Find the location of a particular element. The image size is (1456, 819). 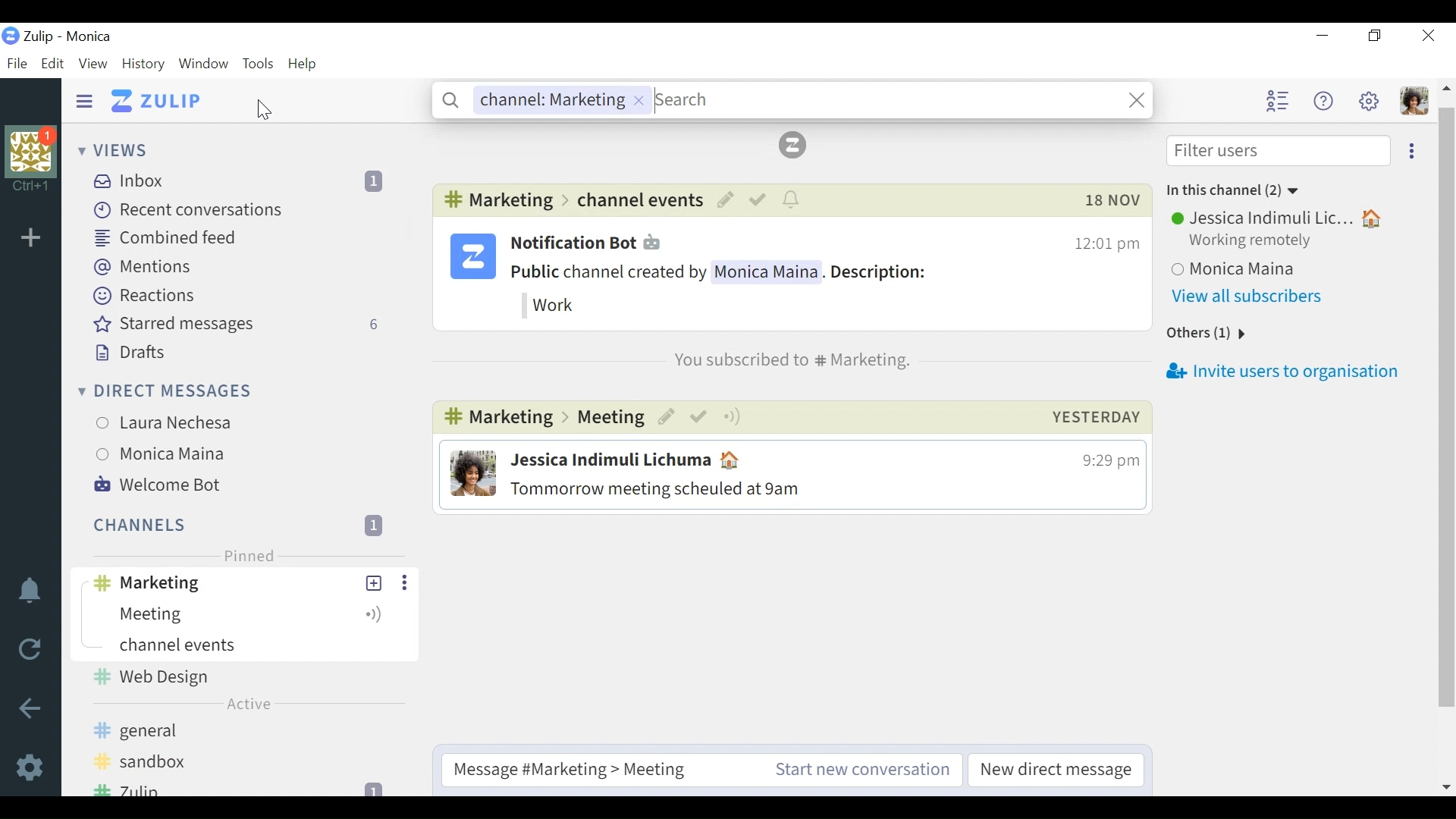

Edit is located at coordinates (54, 64).